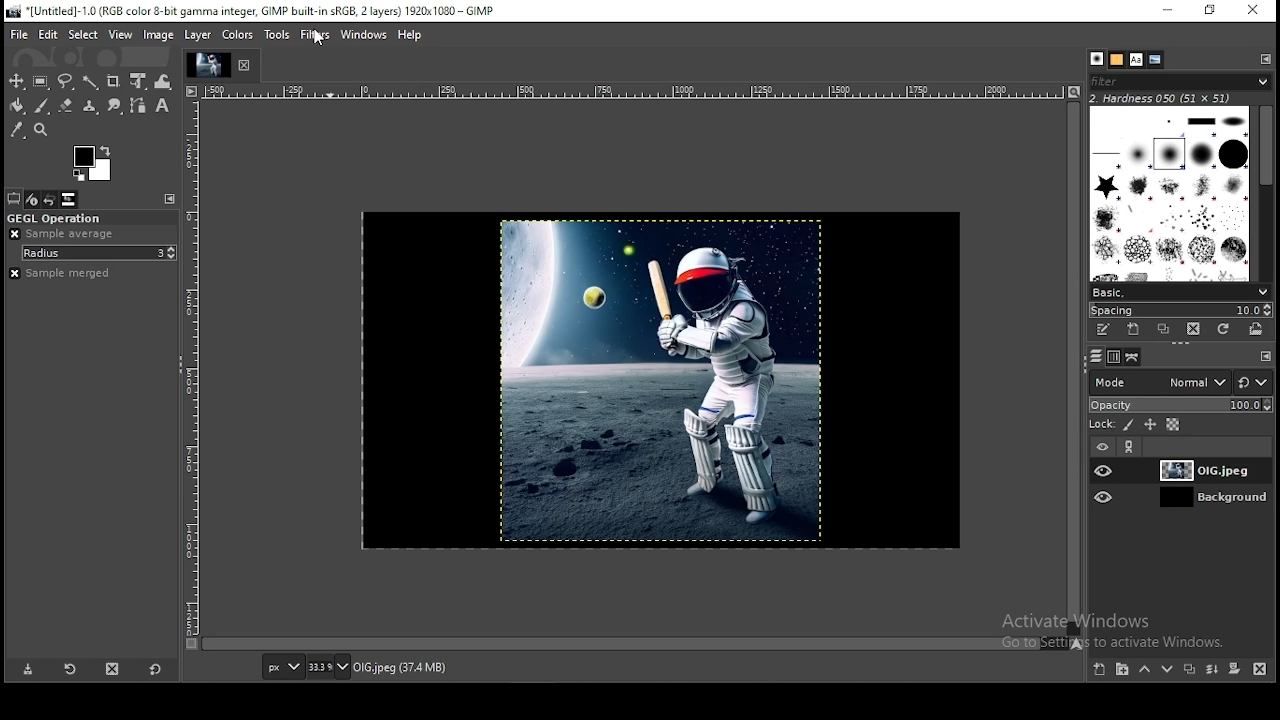 This screenshot has width=1280, height=720. What do you see at coordinates (115, 81) in the screenshot?
I see `crop` at bounding box center [115, 81].